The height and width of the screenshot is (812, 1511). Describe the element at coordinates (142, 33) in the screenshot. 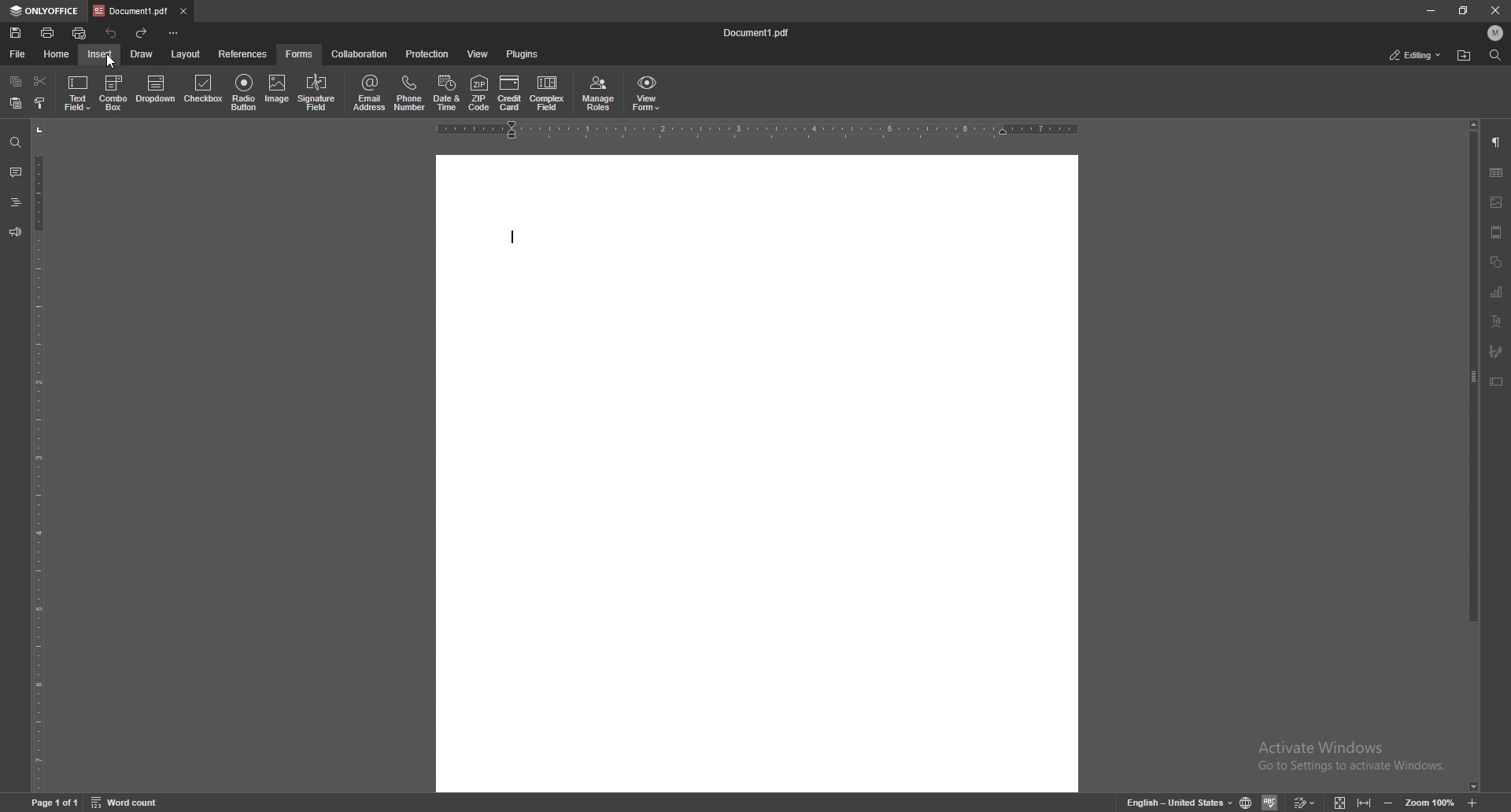

I see `redo` at that location.